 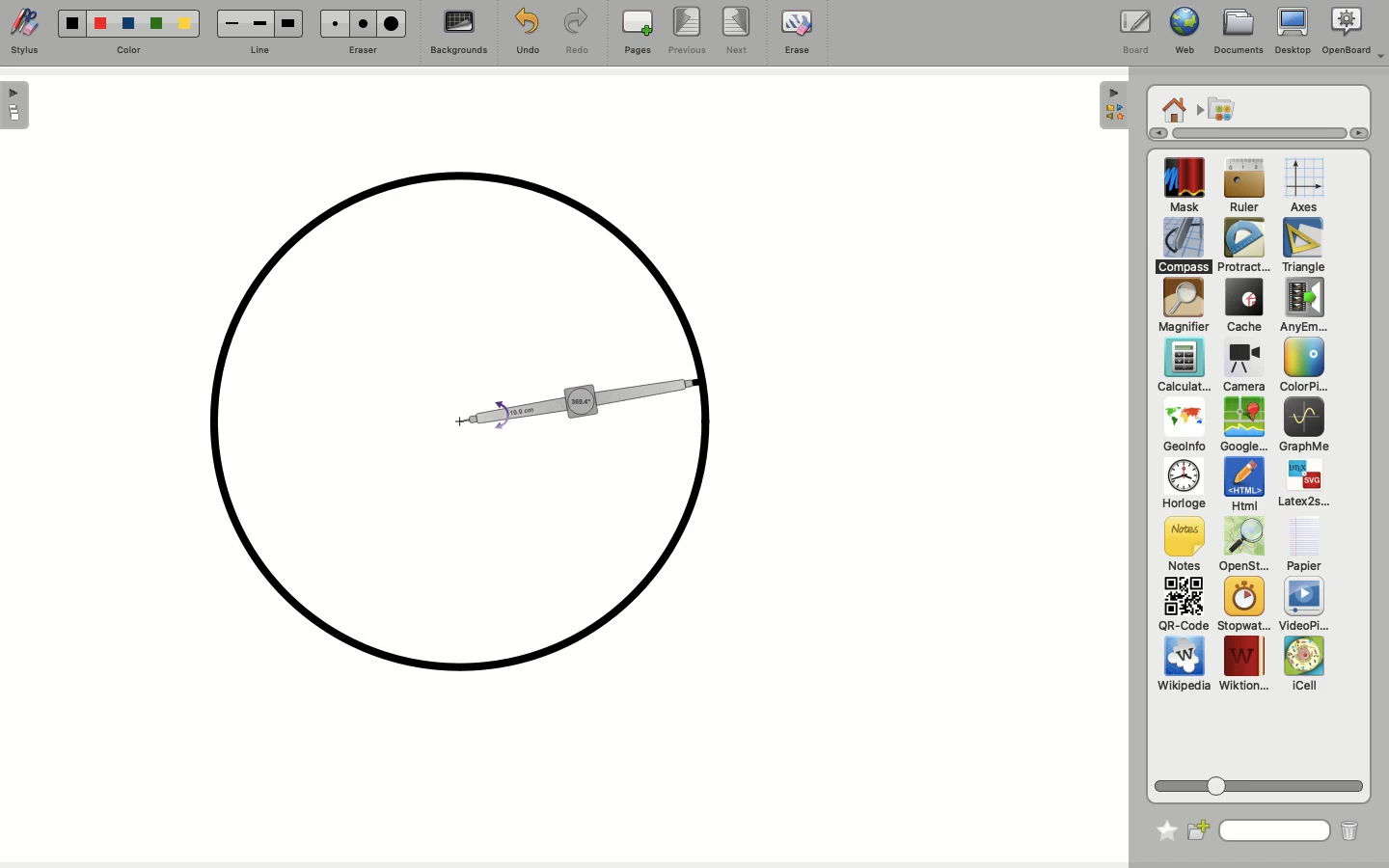 What do you see at coordinates (1181, 545) in the screenshot?
I see `Notes` at bounding box center [1181, 545].